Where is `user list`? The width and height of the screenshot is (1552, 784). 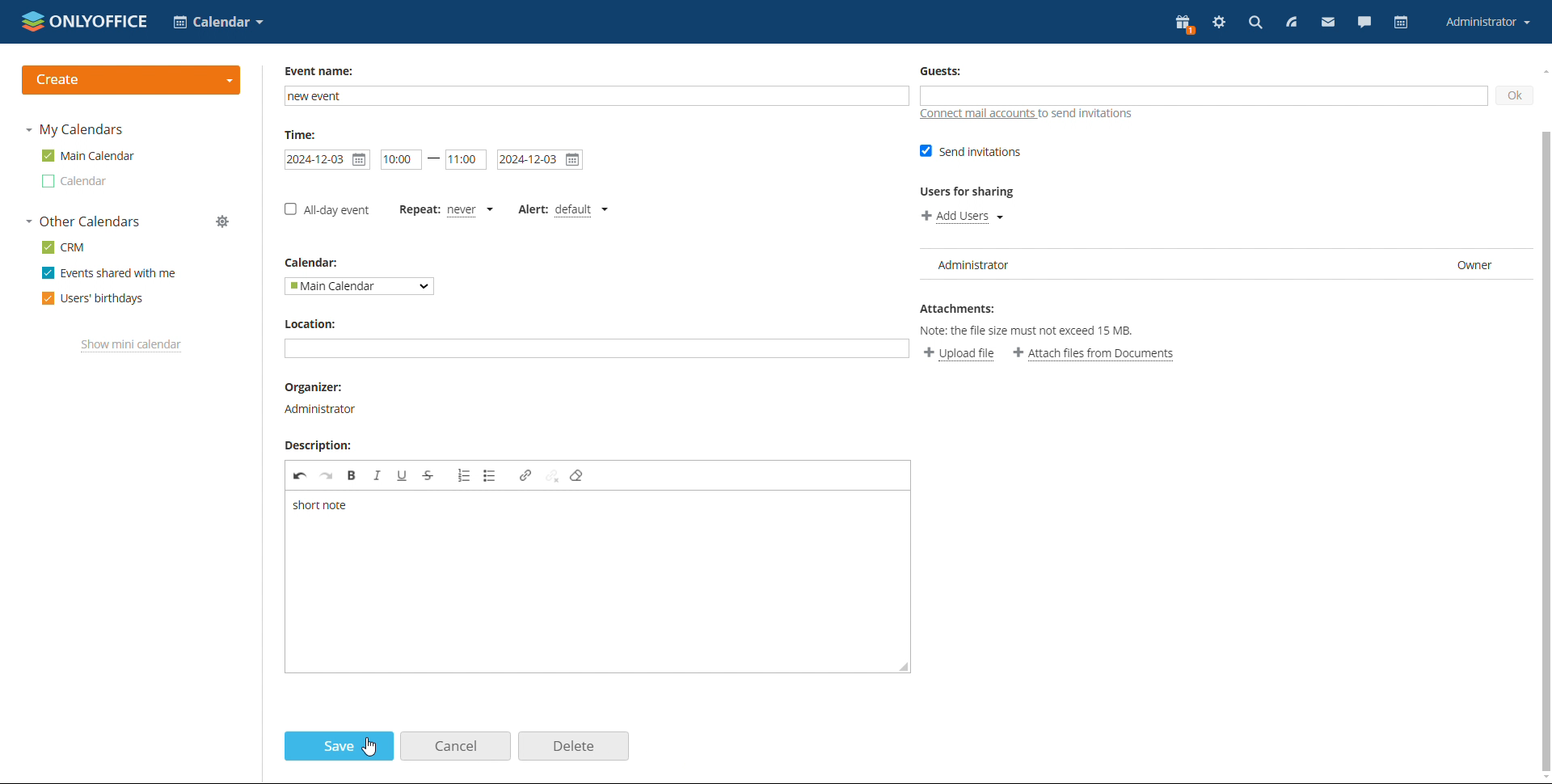
user list is located at coordinates (1226, 264).